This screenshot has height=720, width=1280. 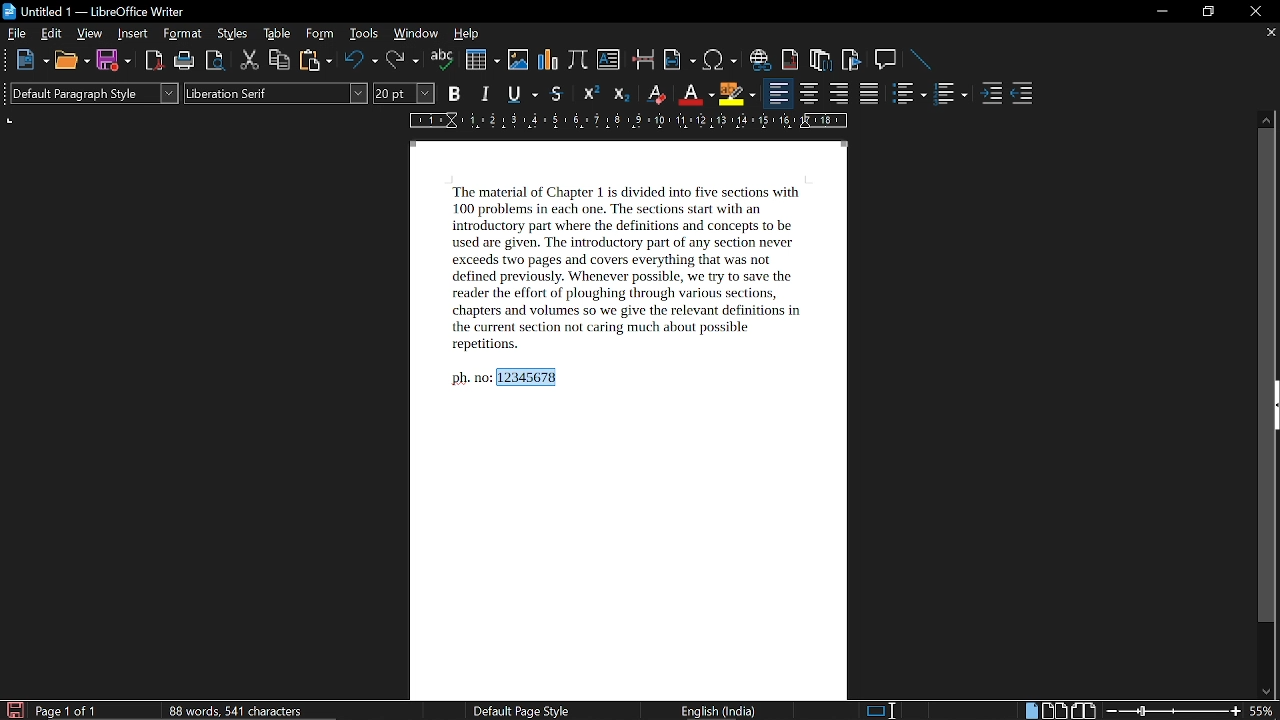 I want to click on insert bibliography, so click(x=850, y=61).